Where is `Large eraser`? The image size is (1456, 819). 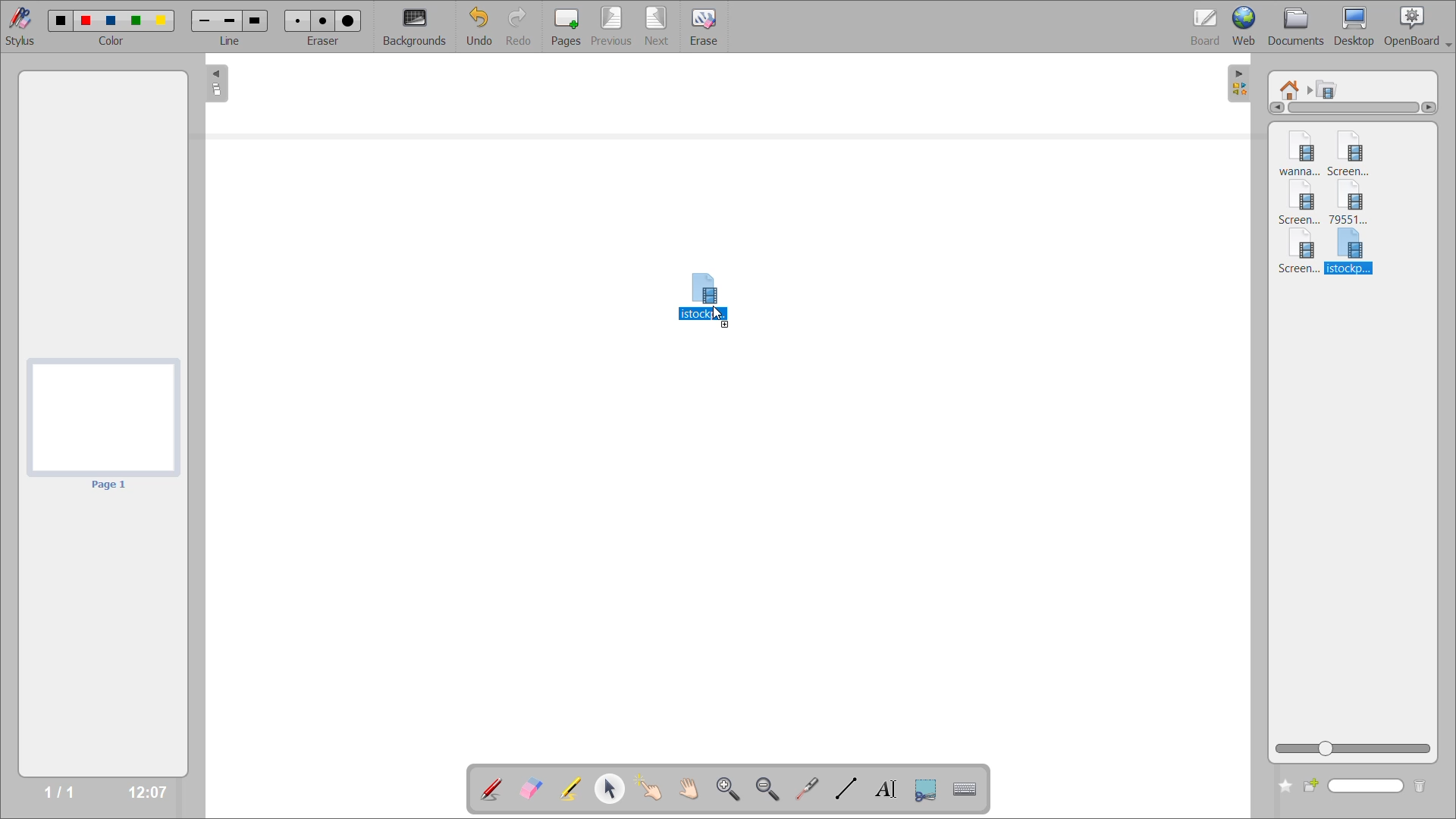 Large eraser is located at coordinates (348, 20).